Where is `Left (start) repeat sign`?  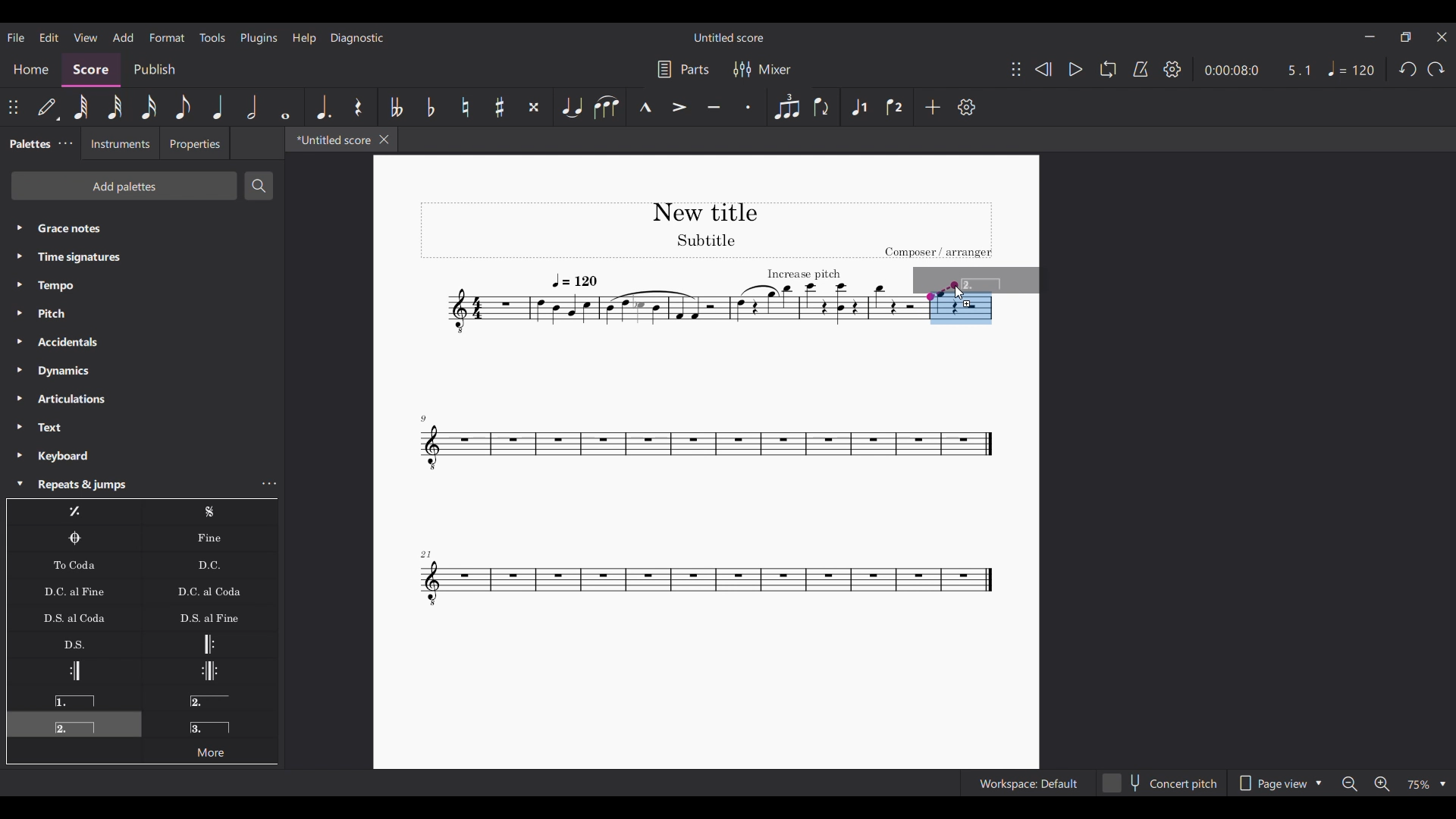
Left (start) repeat sign is located at coordinates (209, 644).